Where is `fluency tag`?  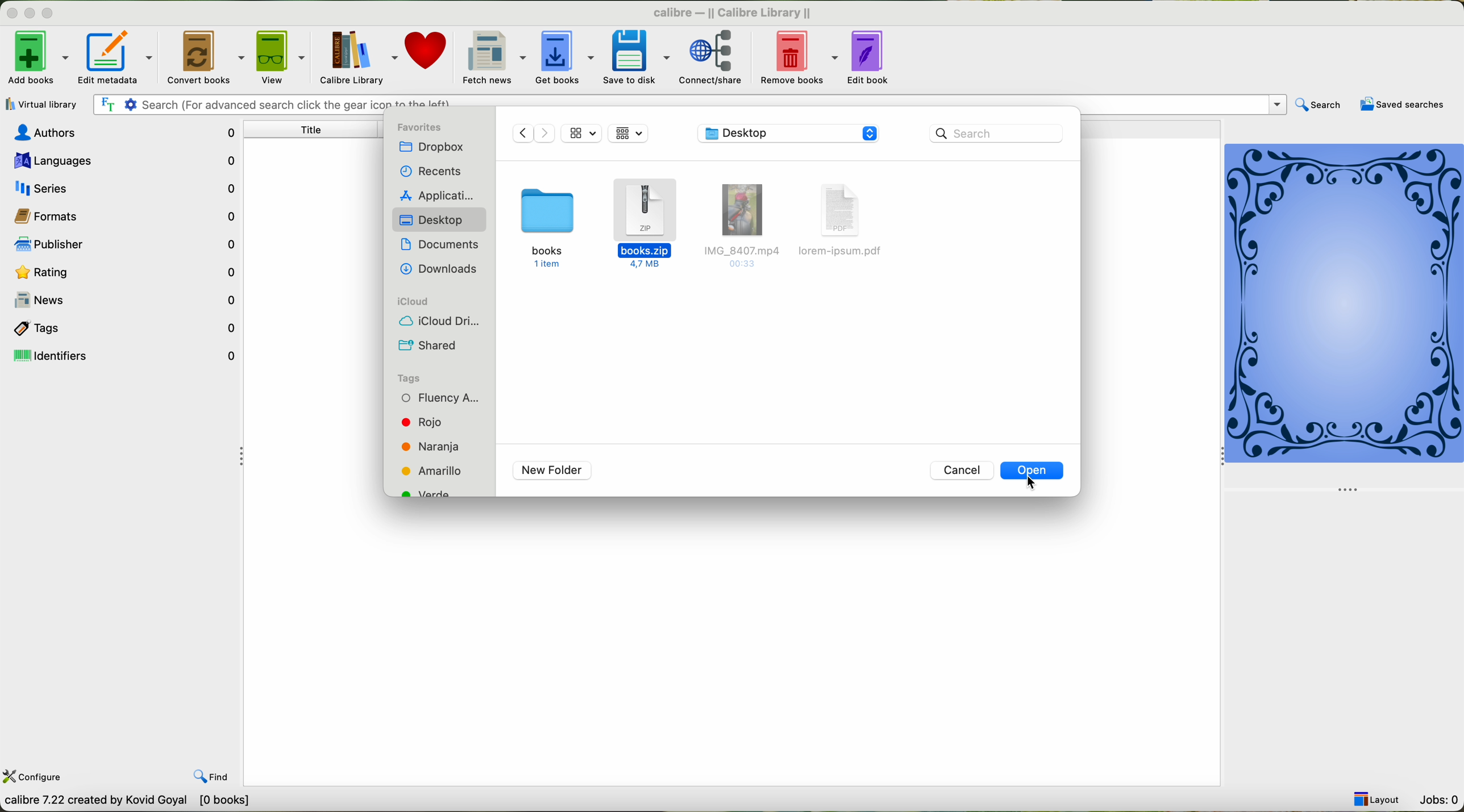 fluency tag is located at coordinates (441, 399).